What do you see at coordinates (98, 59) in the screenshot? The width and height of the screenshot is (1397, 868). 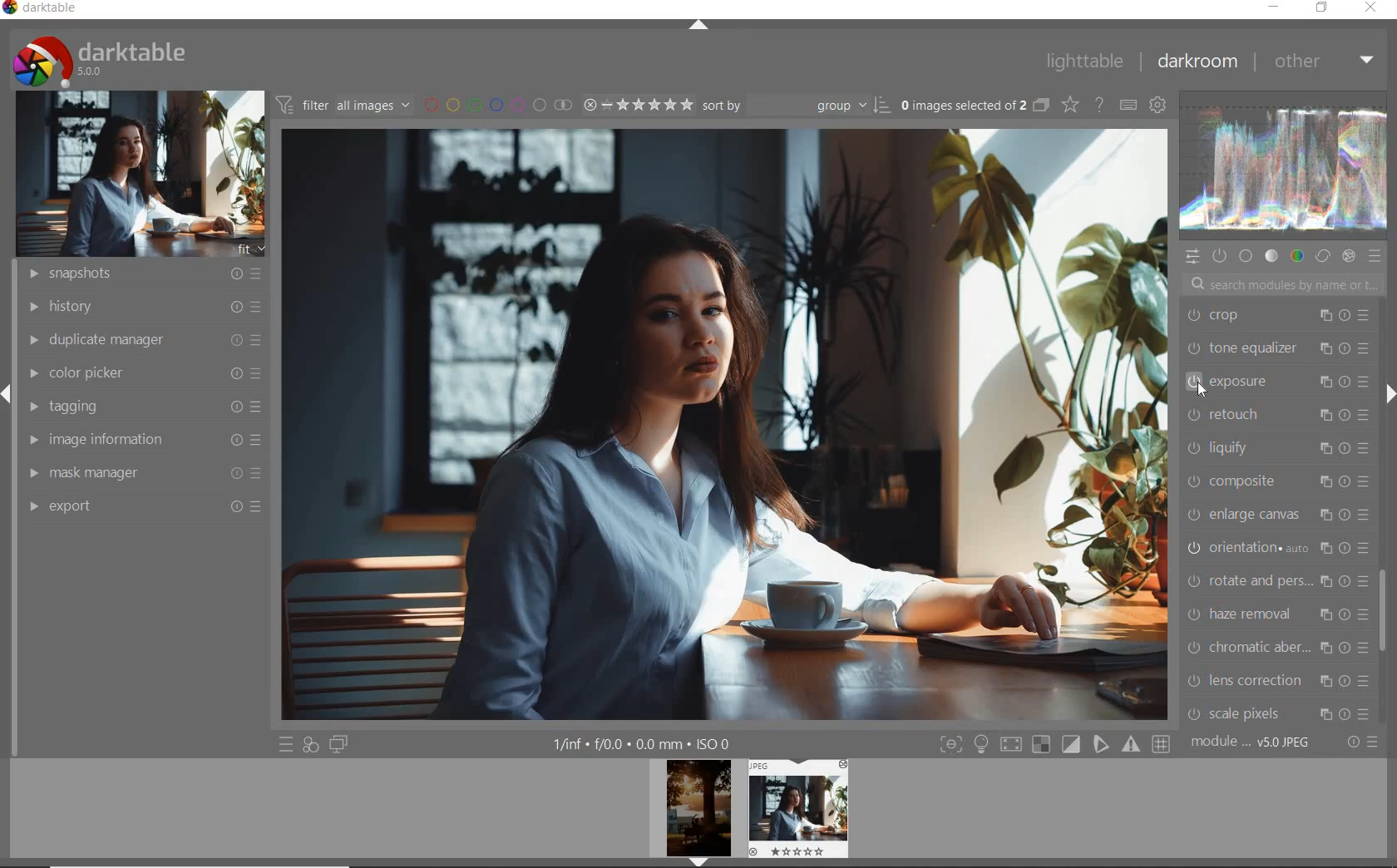 I see `SYSTEM LOGO & NAME` at bounding box center [98, 59].